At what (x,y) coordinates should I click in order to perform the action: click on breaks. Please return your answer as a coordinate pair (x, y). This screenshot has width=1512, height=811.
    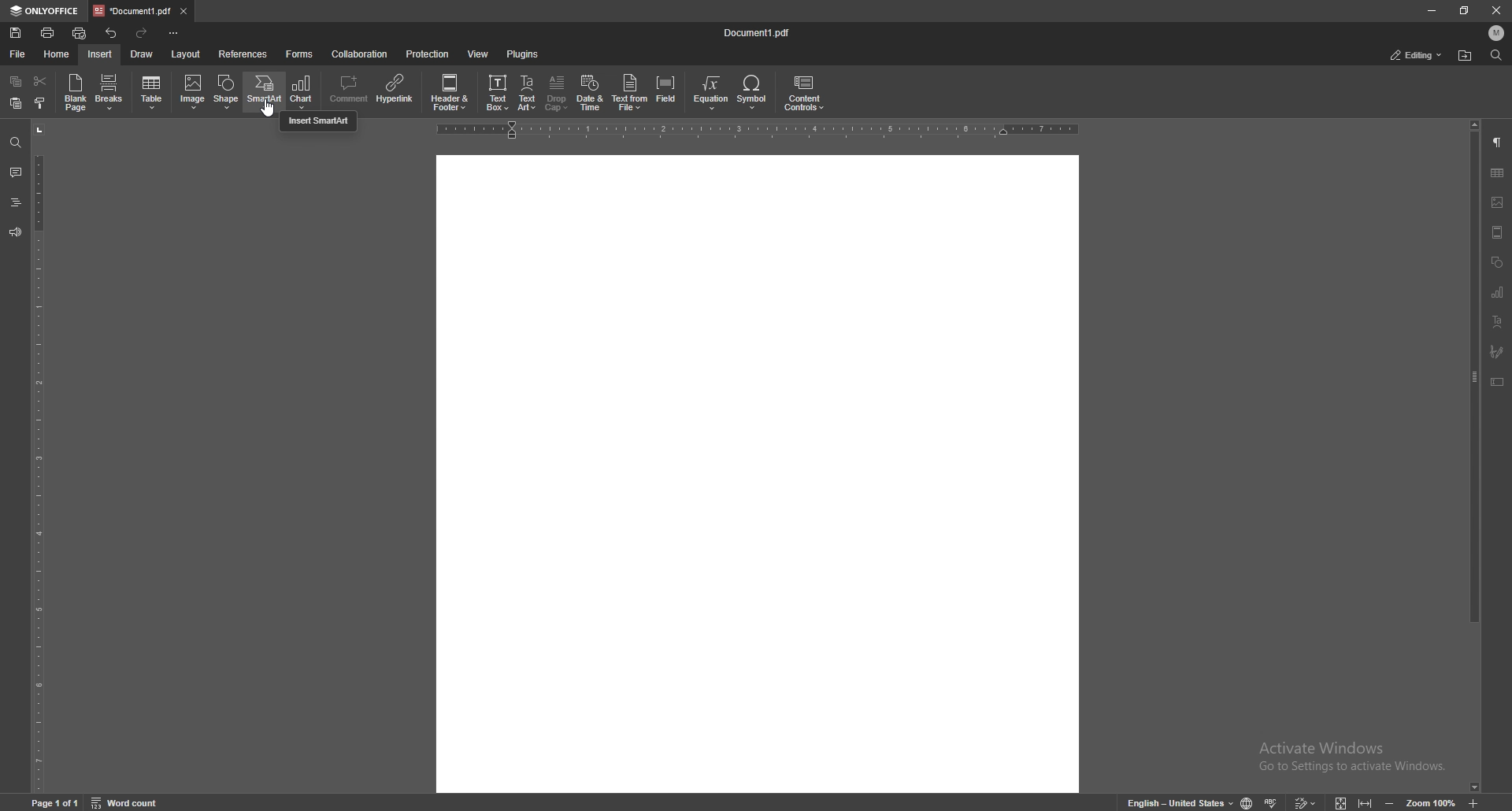
    Looking at the image, I should click on (110, 92).